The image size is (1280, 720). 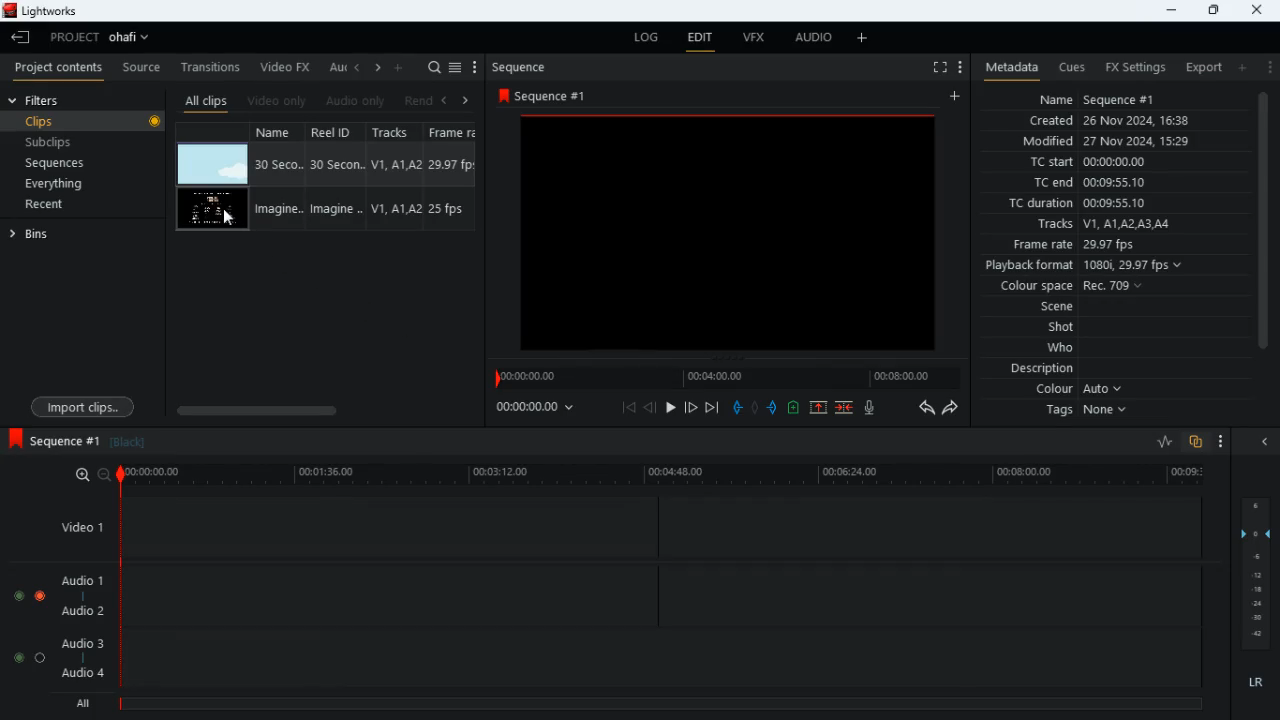 I want to click on tc duration, so click(x=1091, y=203).